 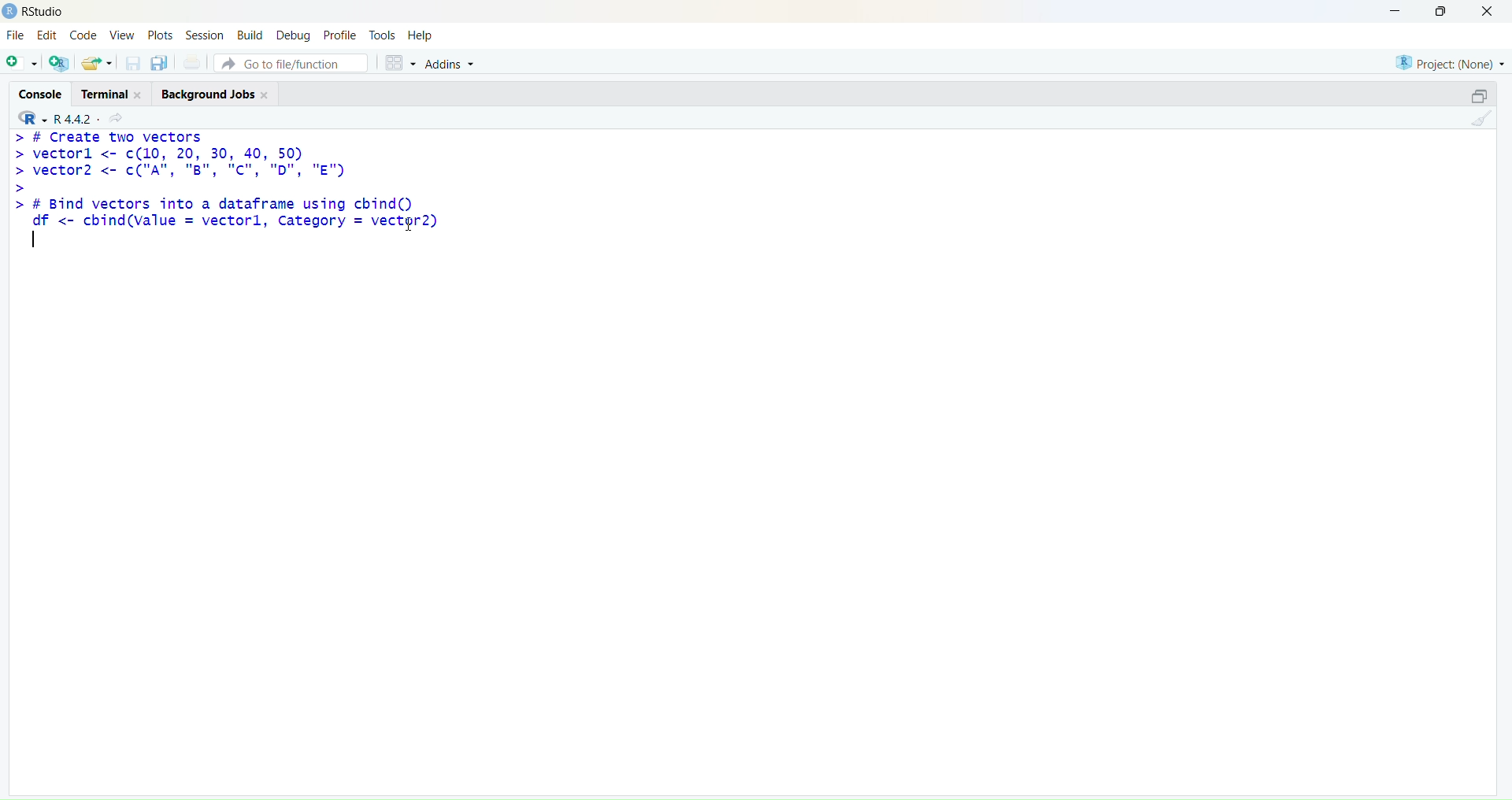 What do you see at coordinates (193, 62) in the screenshot?
I see `print the current file` at bounding box center [193, 62].